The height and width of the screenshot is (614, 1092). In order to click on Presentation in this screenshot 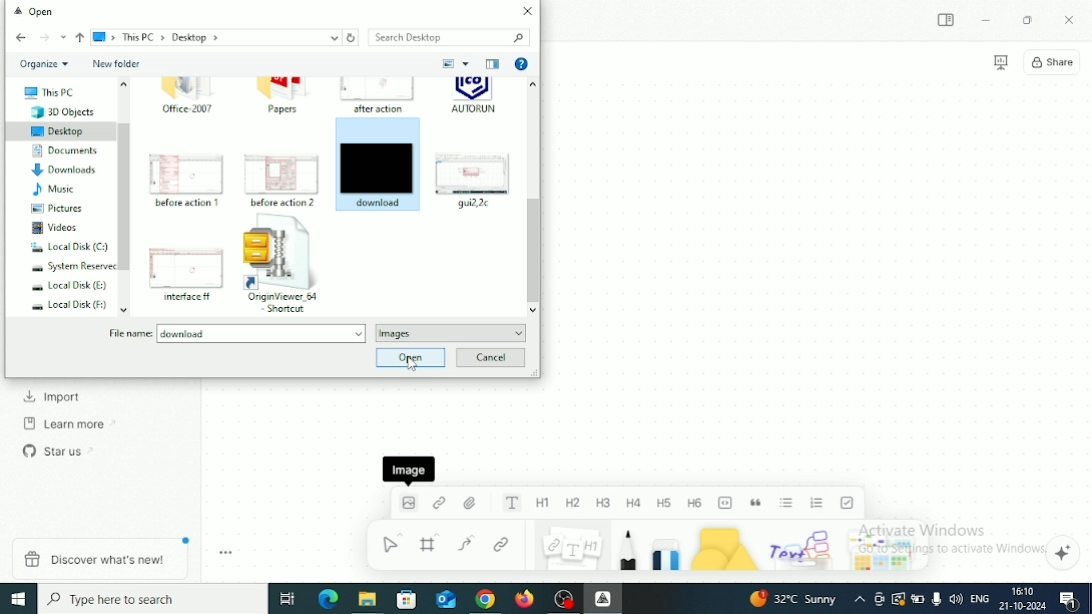, I will do `click(1001, 63)`.